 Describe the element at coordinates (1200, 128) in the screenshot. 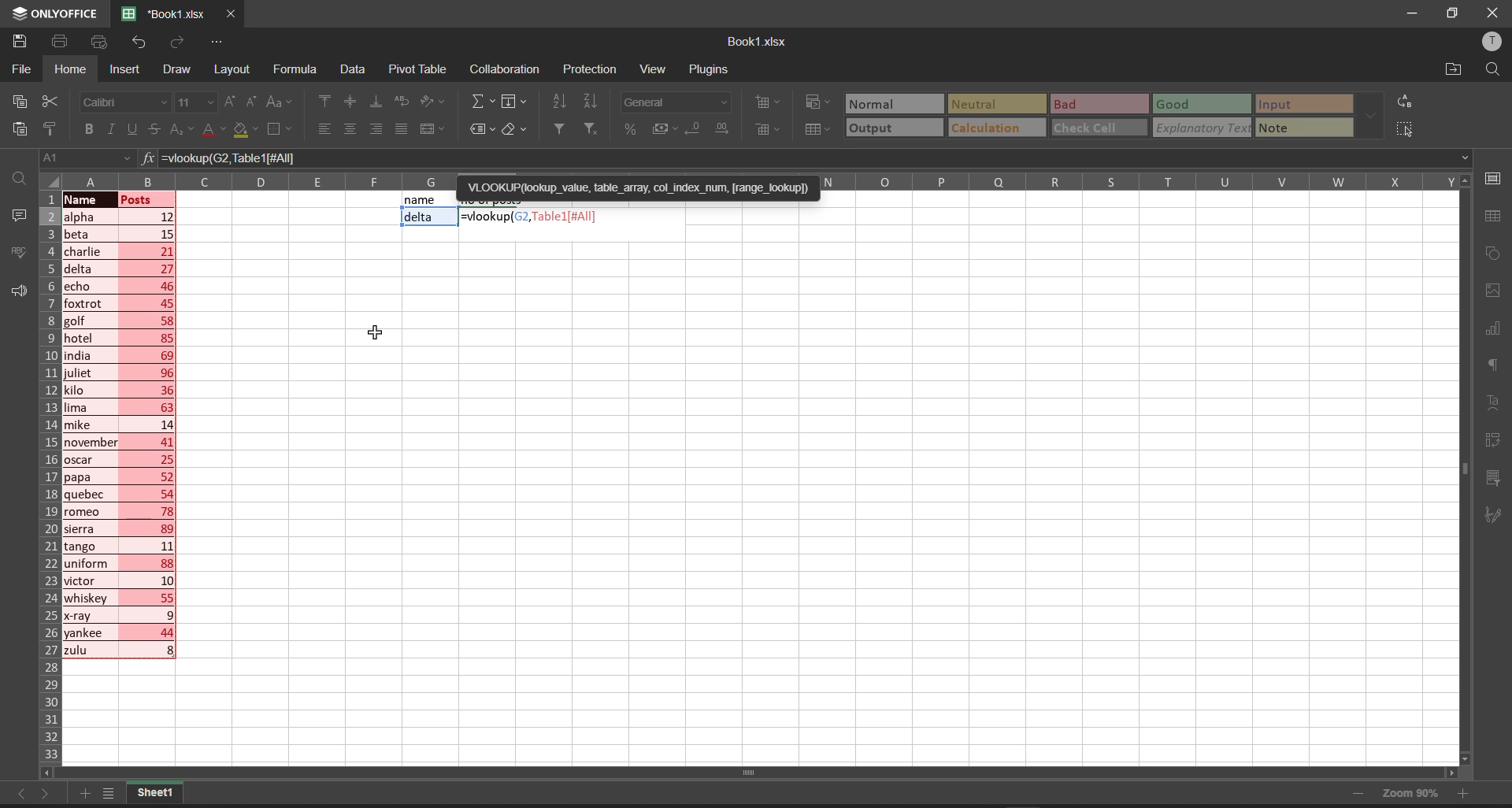

I see `explanatory Text` at that location.